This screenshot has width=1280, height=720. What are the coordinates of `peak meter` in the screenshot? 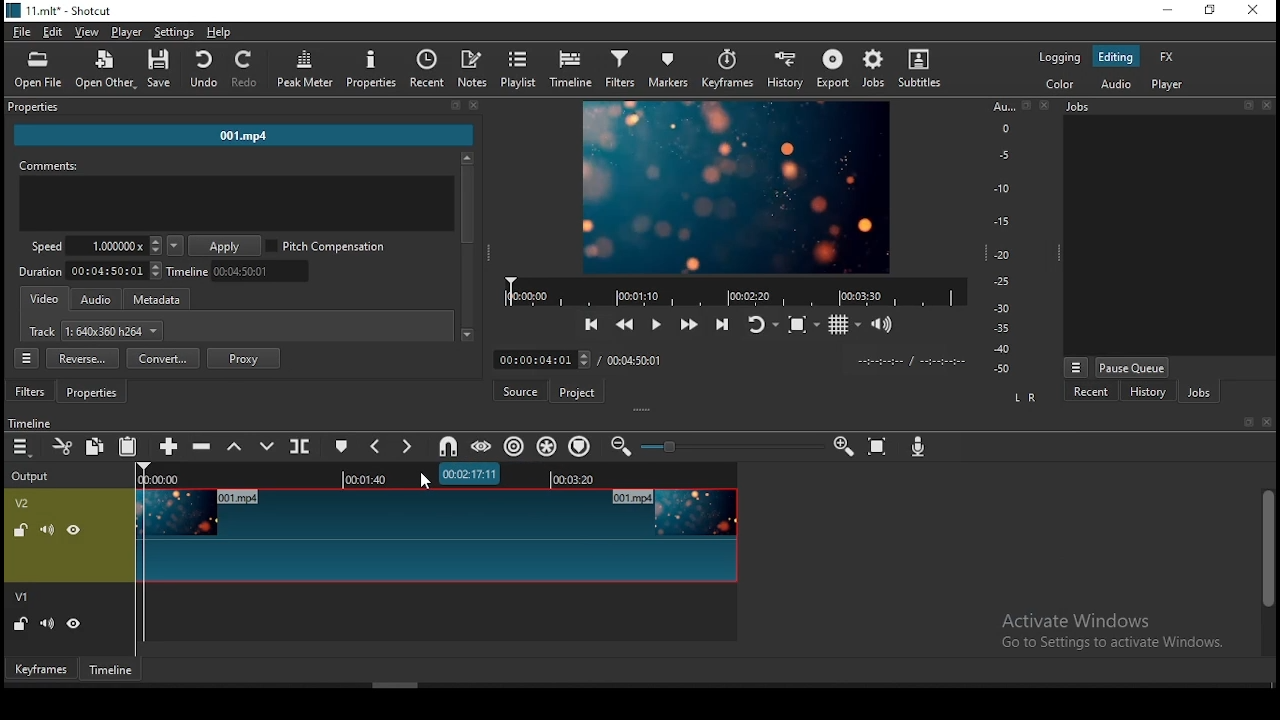 It's located at (306, 68).